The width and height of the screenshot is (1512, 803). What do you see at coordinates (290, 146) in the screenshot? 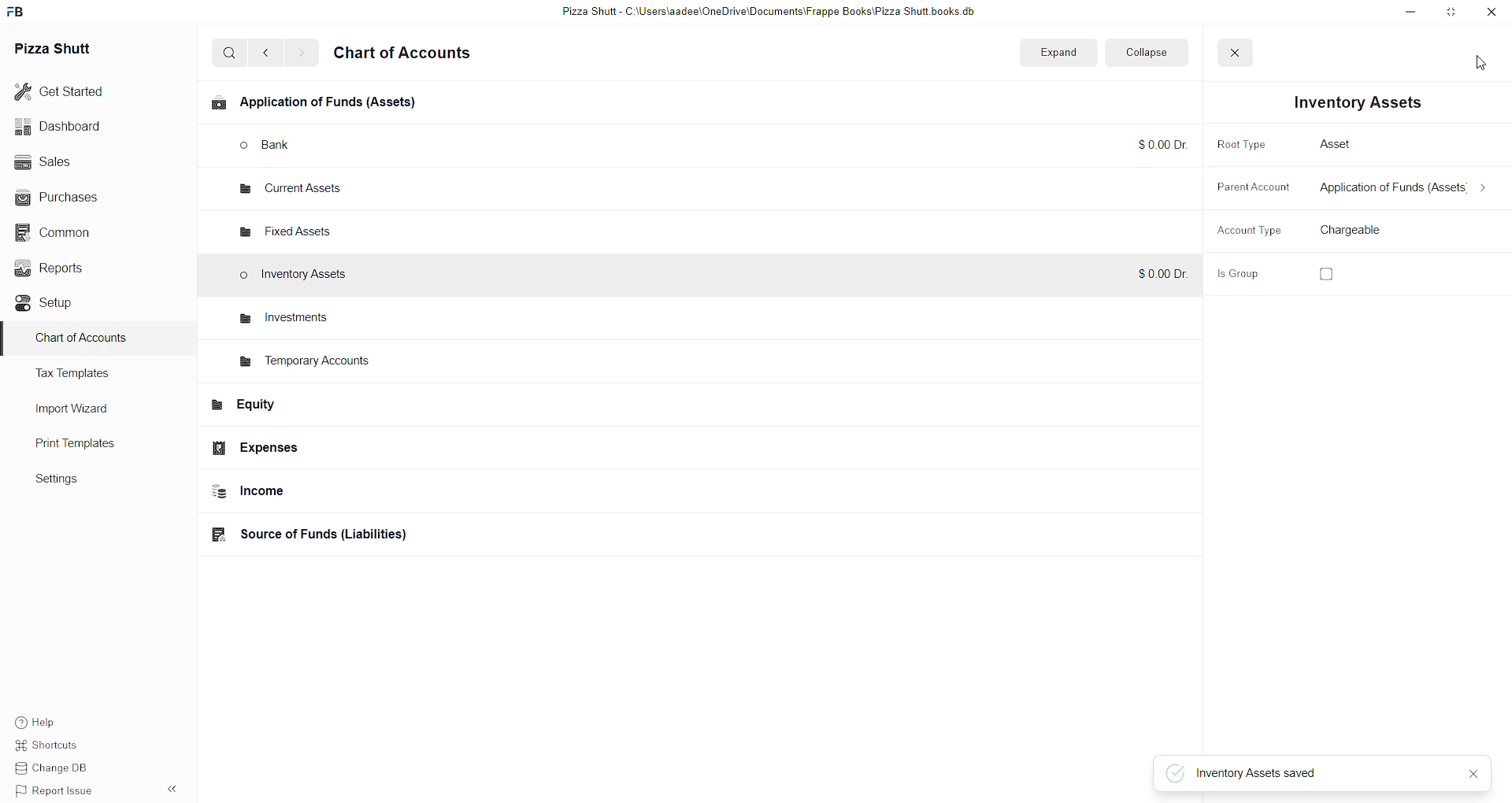
I see `bank ` at bounding box center [290, 146].